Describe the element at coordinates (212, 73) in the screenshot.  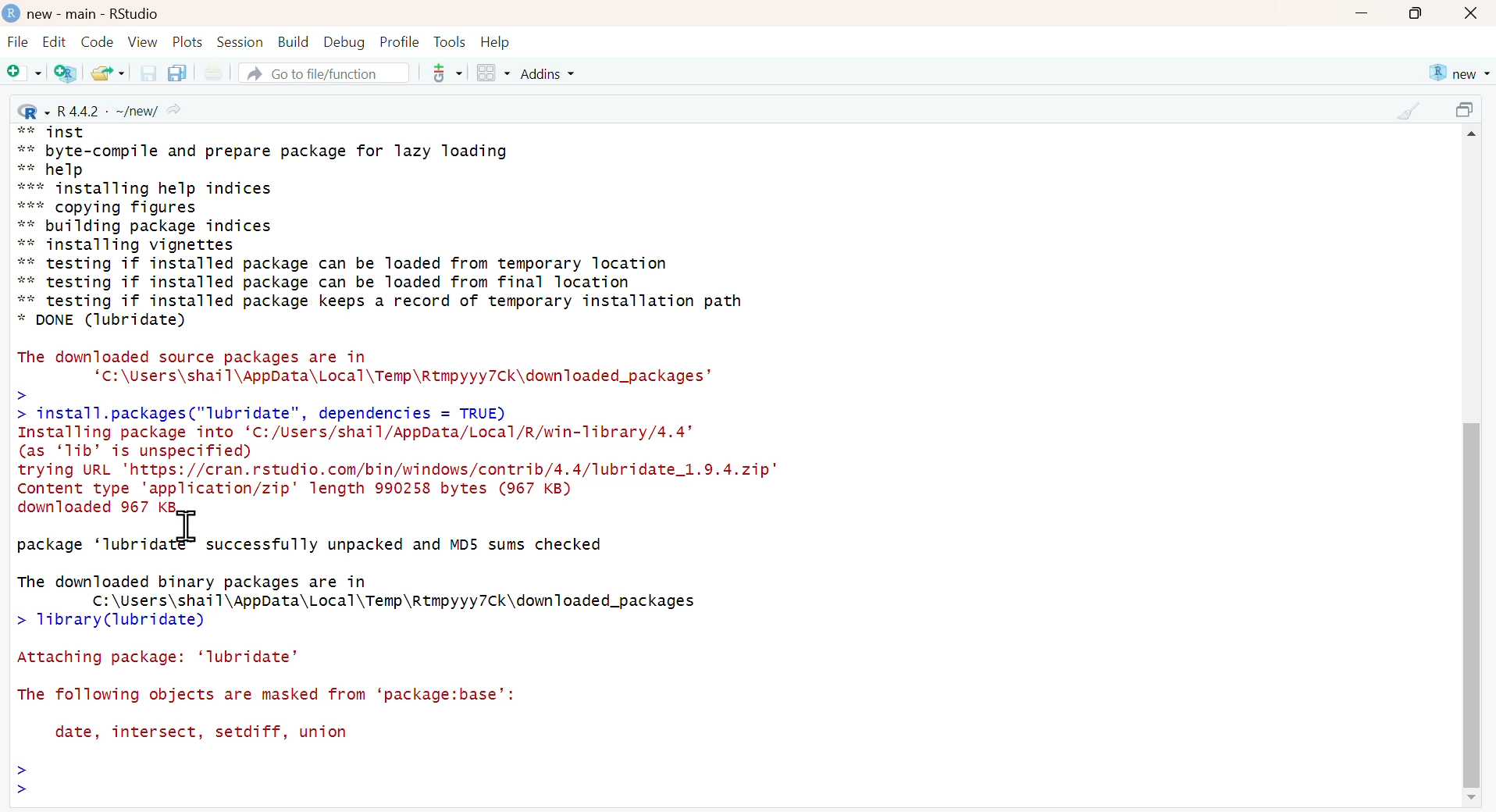
I see `print` at that location.